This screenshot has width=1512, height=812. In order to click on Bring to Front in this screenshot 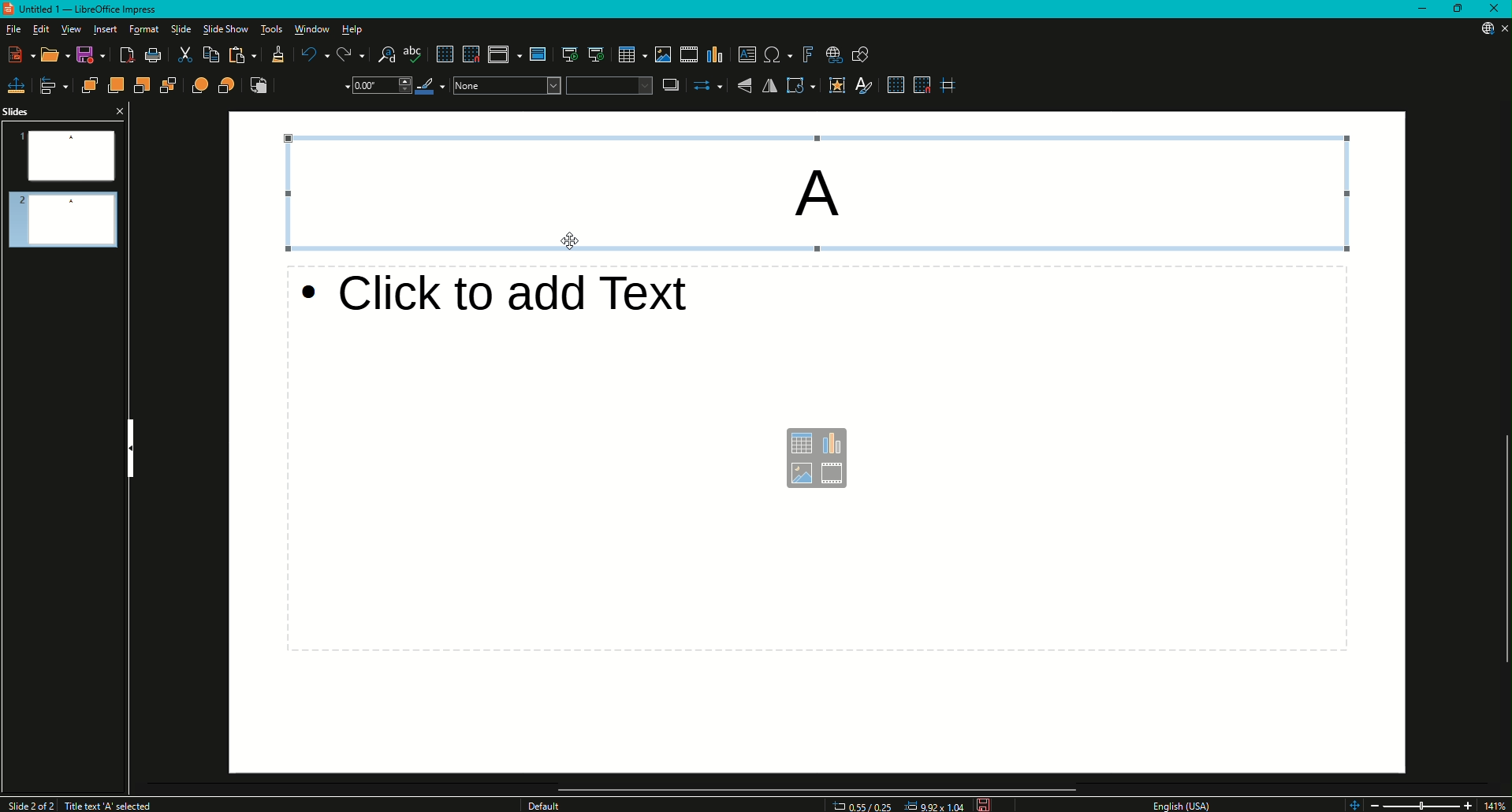, I will do `click(87, 85)`.